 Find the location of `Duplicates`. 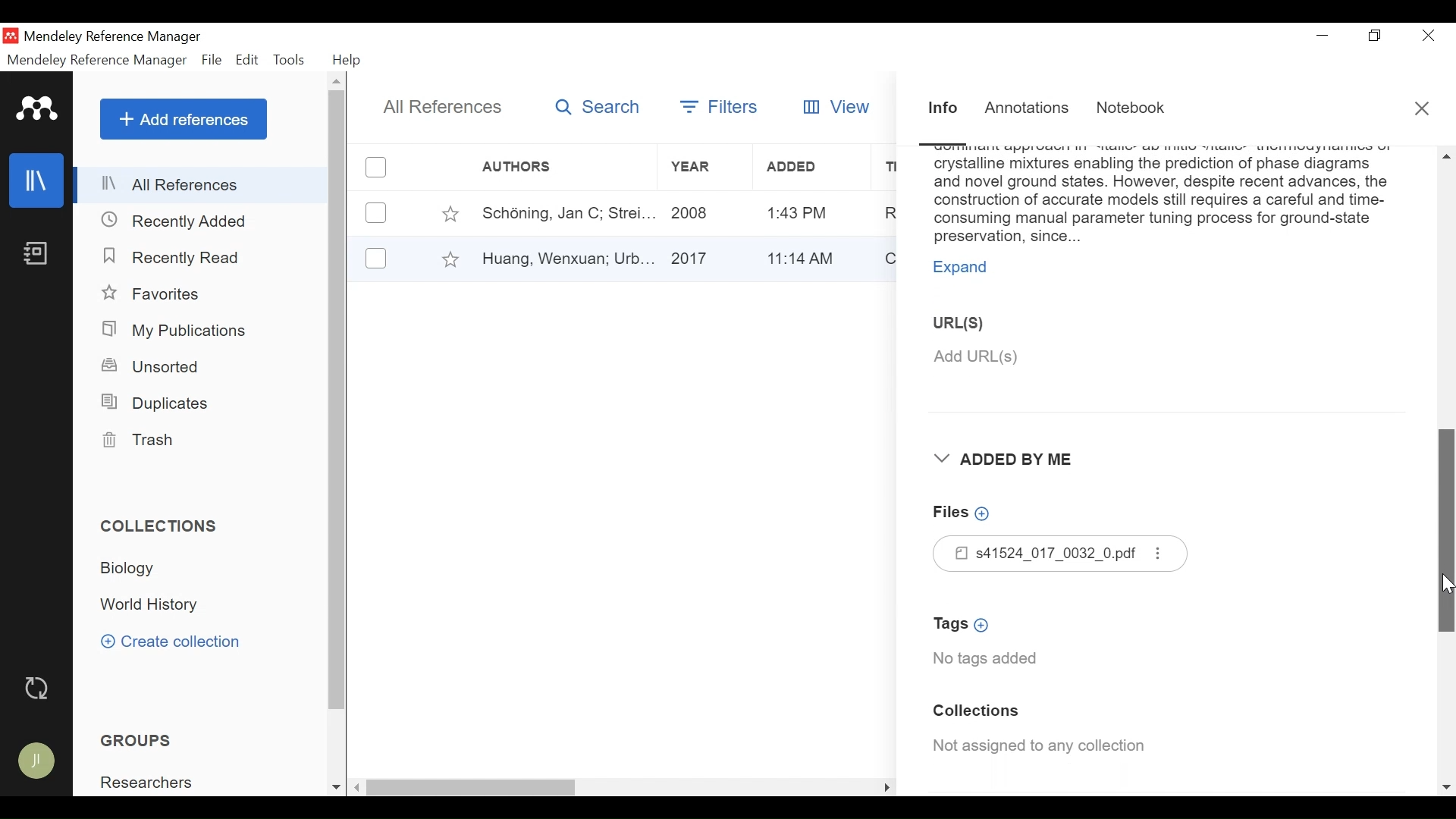

Duplicates is located at coordinates (153, 403).